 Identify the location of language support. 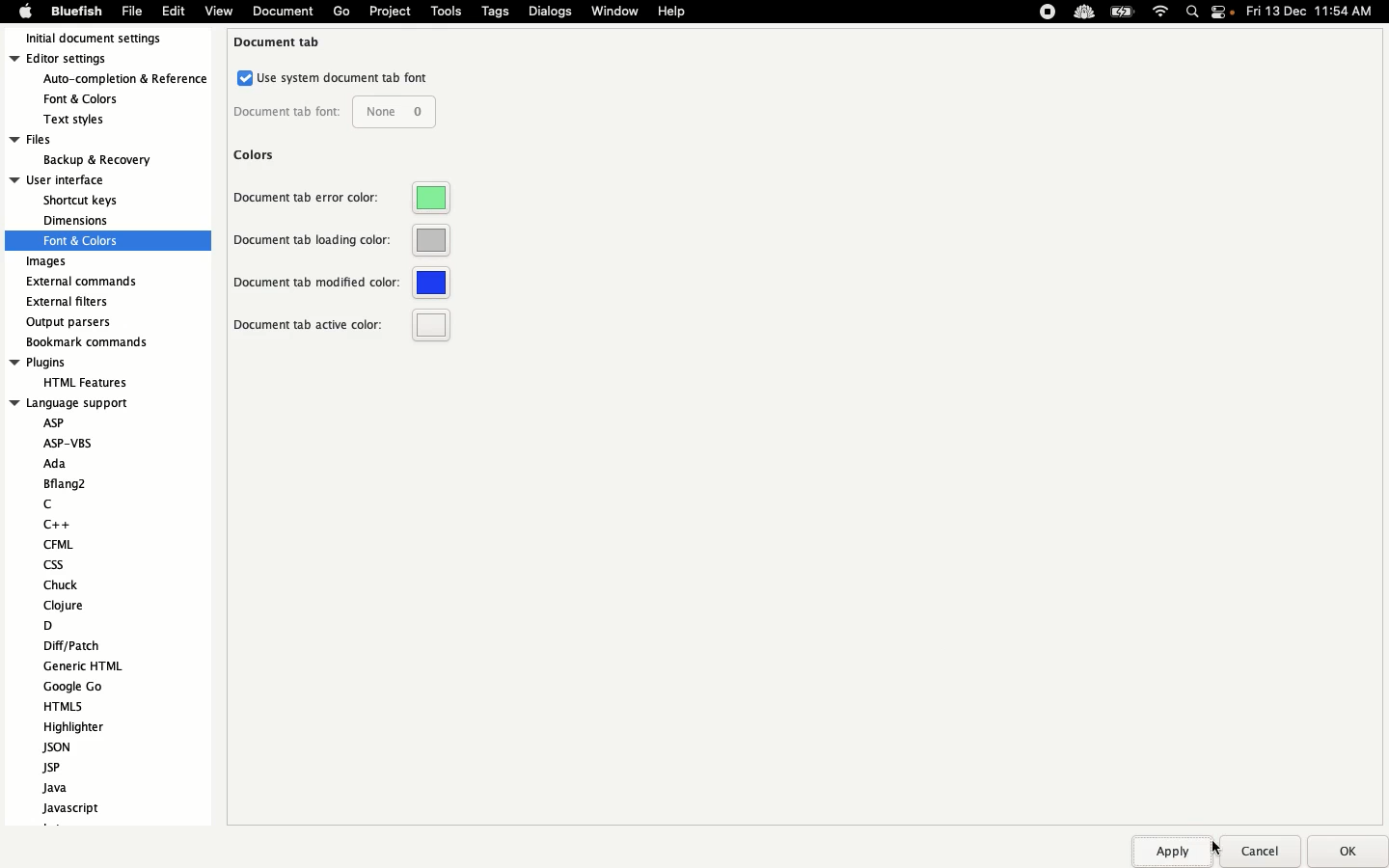
(71, 402).